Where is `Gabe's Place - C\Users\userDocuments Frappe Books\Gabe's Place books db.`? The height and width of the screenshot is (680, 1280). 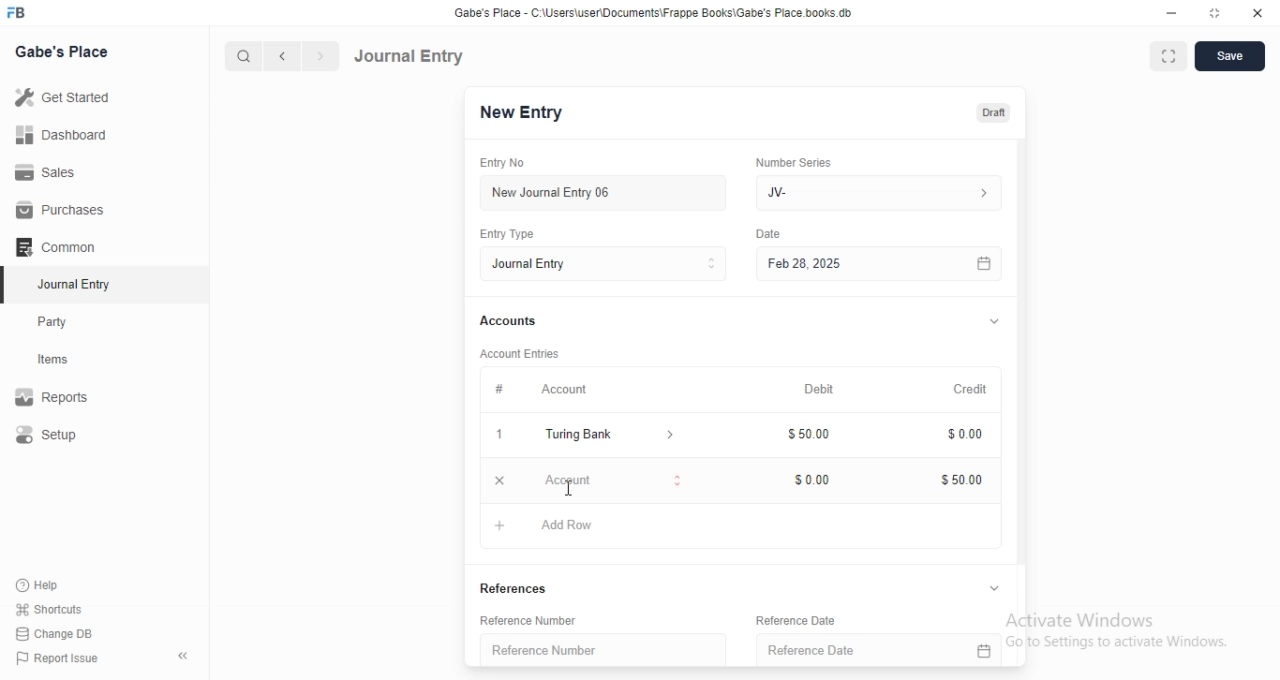
Gabe's Place - C\Users\userDocuments Frappe Books\Gabe's Place books db. is located at coordinates (654, 13).